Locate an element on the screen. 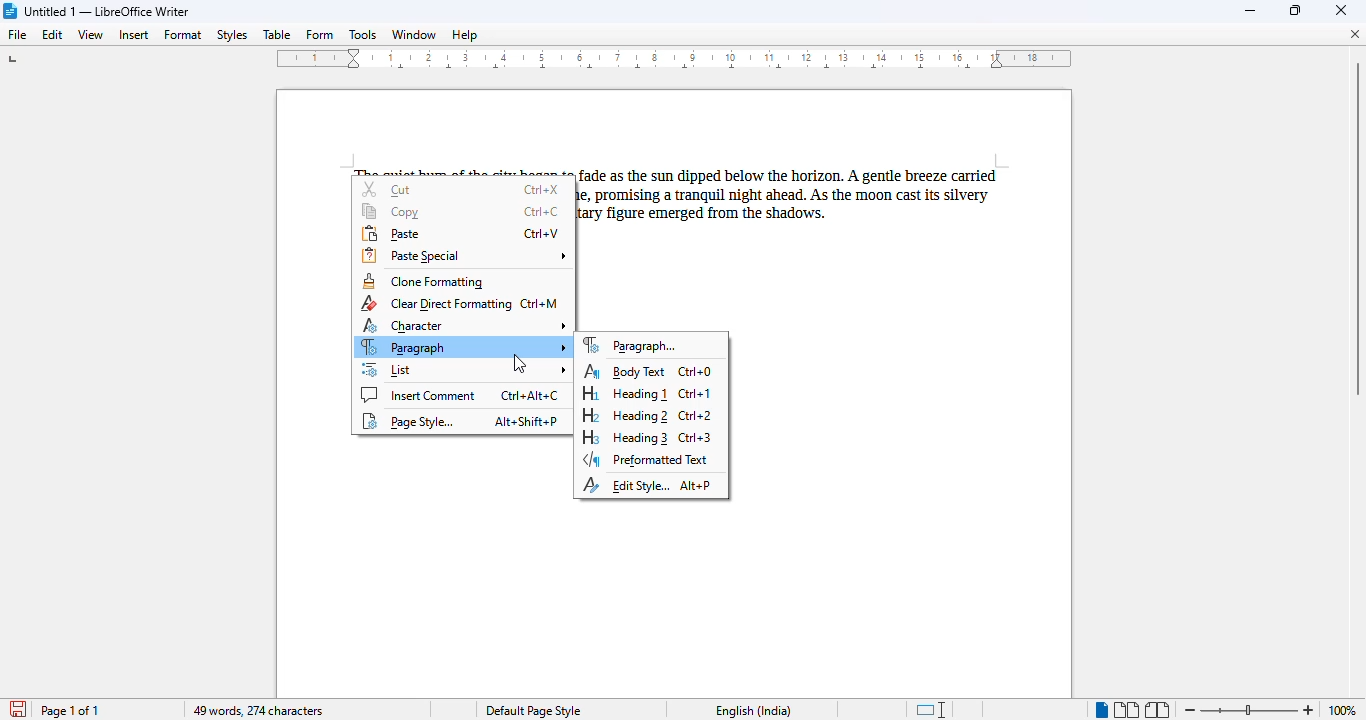  insert comment is located at coordinates (462, 394).